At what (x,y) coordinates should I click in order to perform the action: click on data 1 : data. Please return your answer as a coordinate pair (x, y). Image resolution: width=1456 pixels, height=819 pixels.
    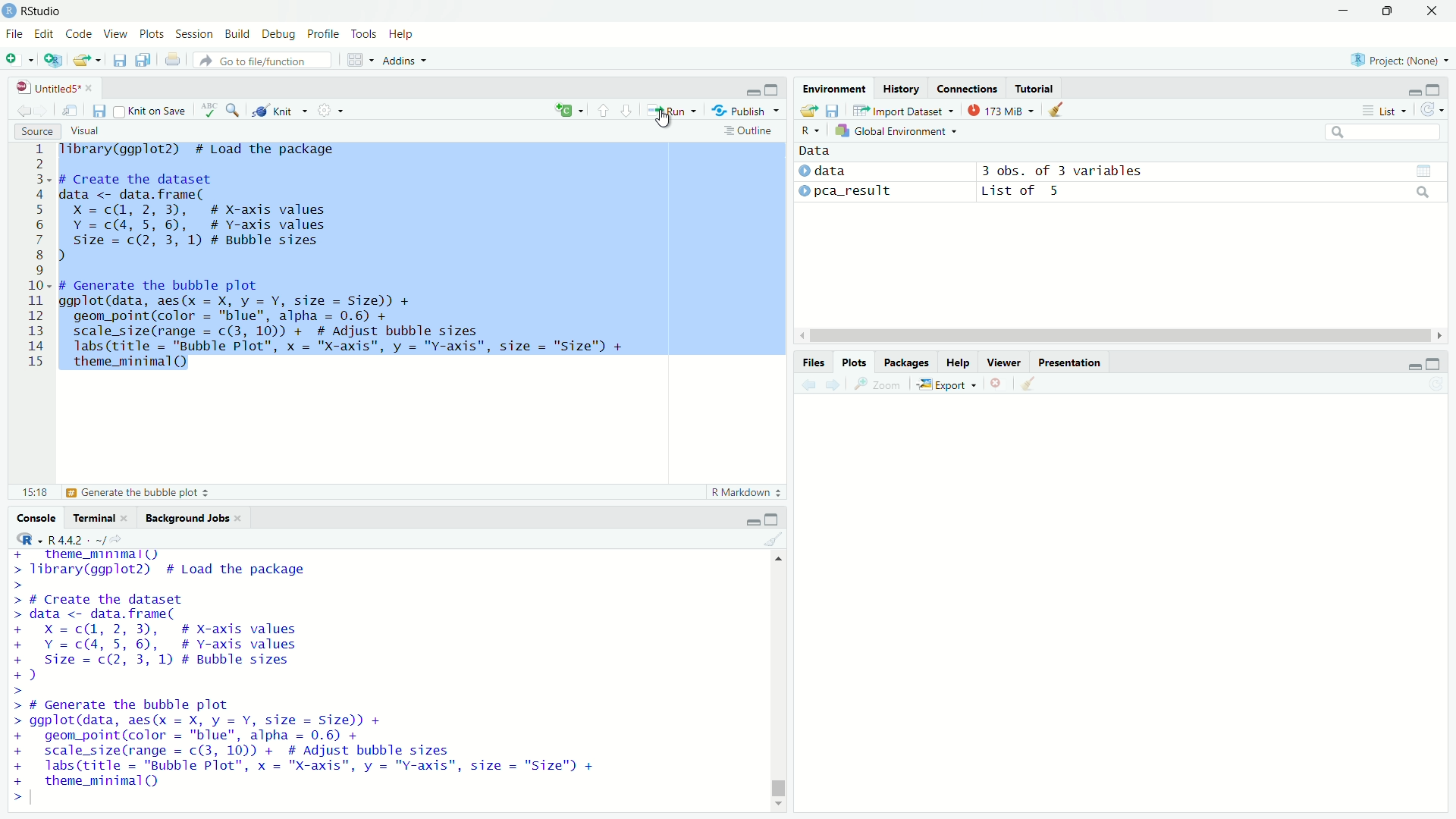
    Looking at the image, I should click on (849, 171).